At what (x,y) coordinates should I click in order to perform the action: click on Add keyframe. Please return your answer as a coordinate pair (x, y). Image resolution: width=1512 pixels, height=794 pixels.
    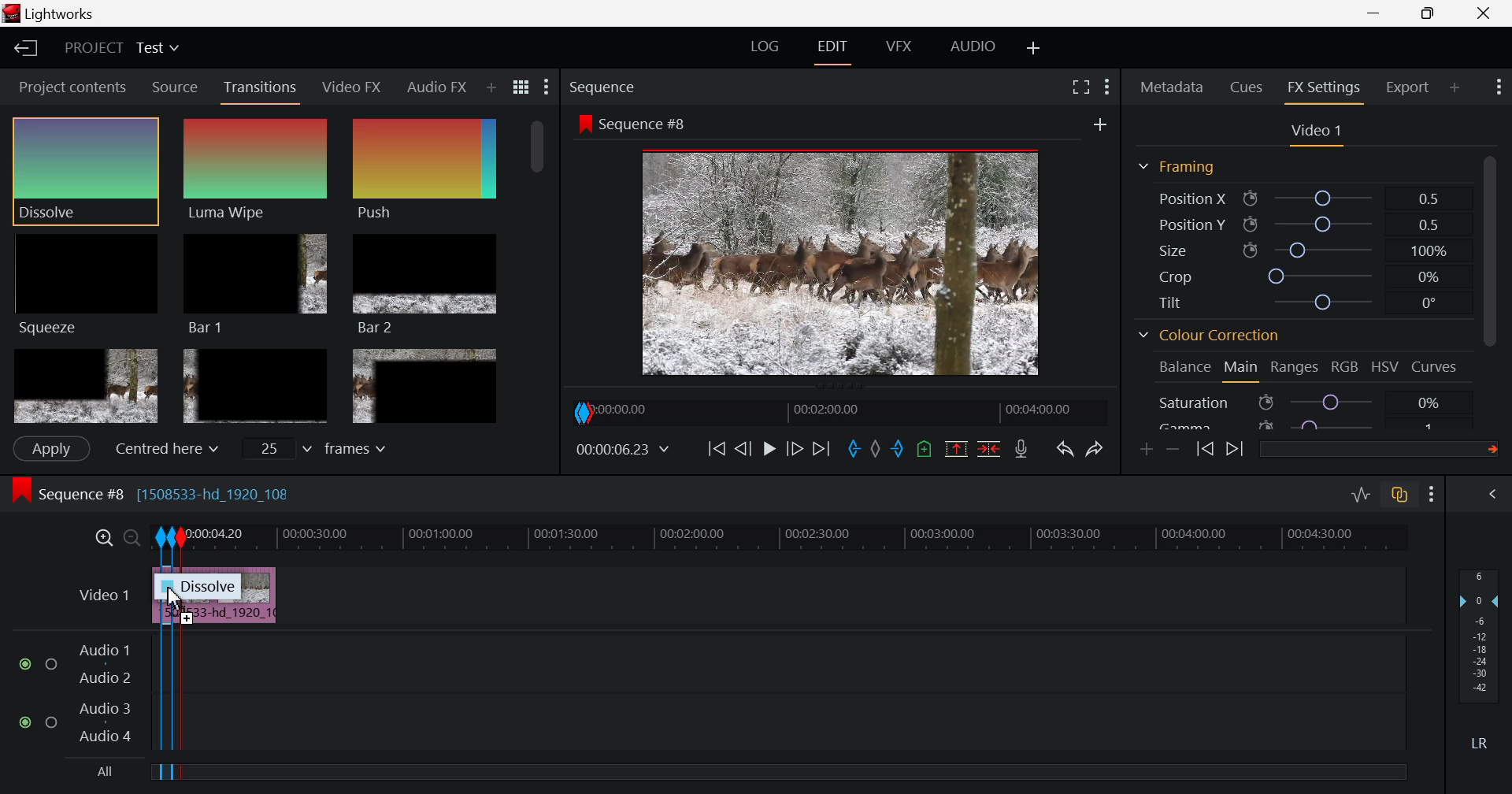
    Looking at the image, I should click on (1148, 449).